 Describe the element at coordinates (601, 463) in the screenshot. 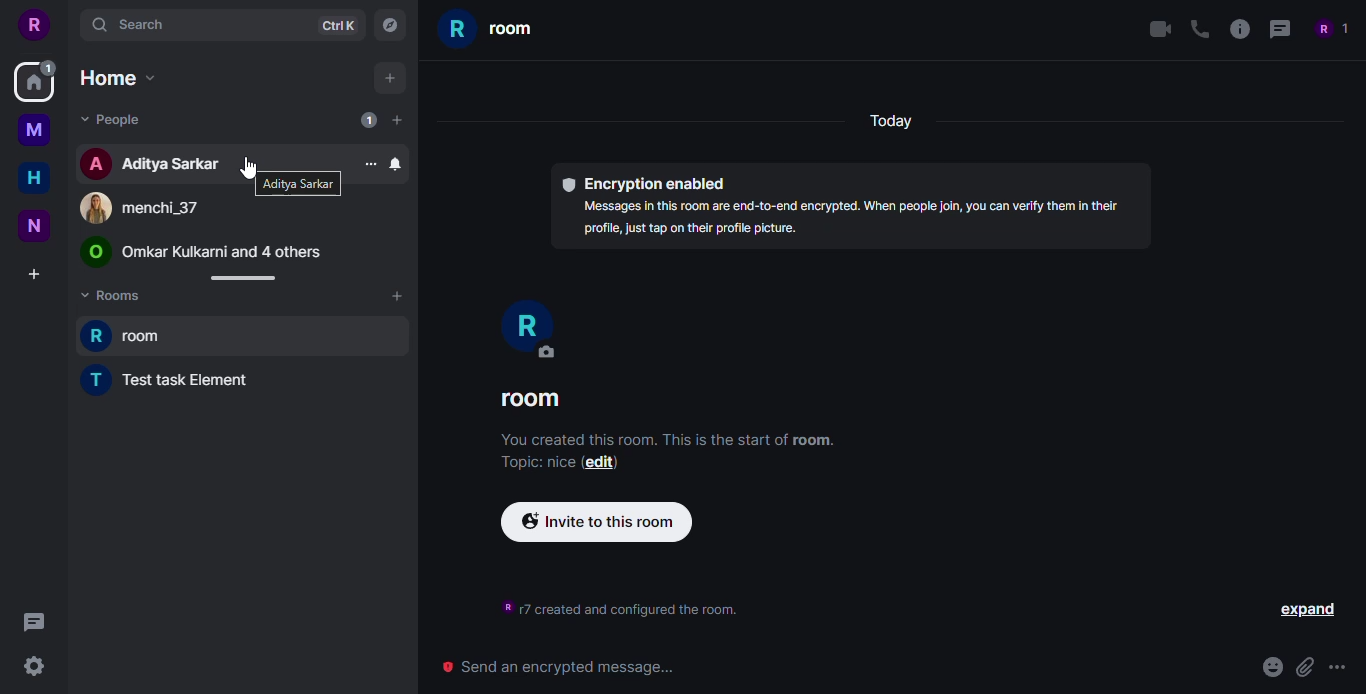

I see `edit` at that location.